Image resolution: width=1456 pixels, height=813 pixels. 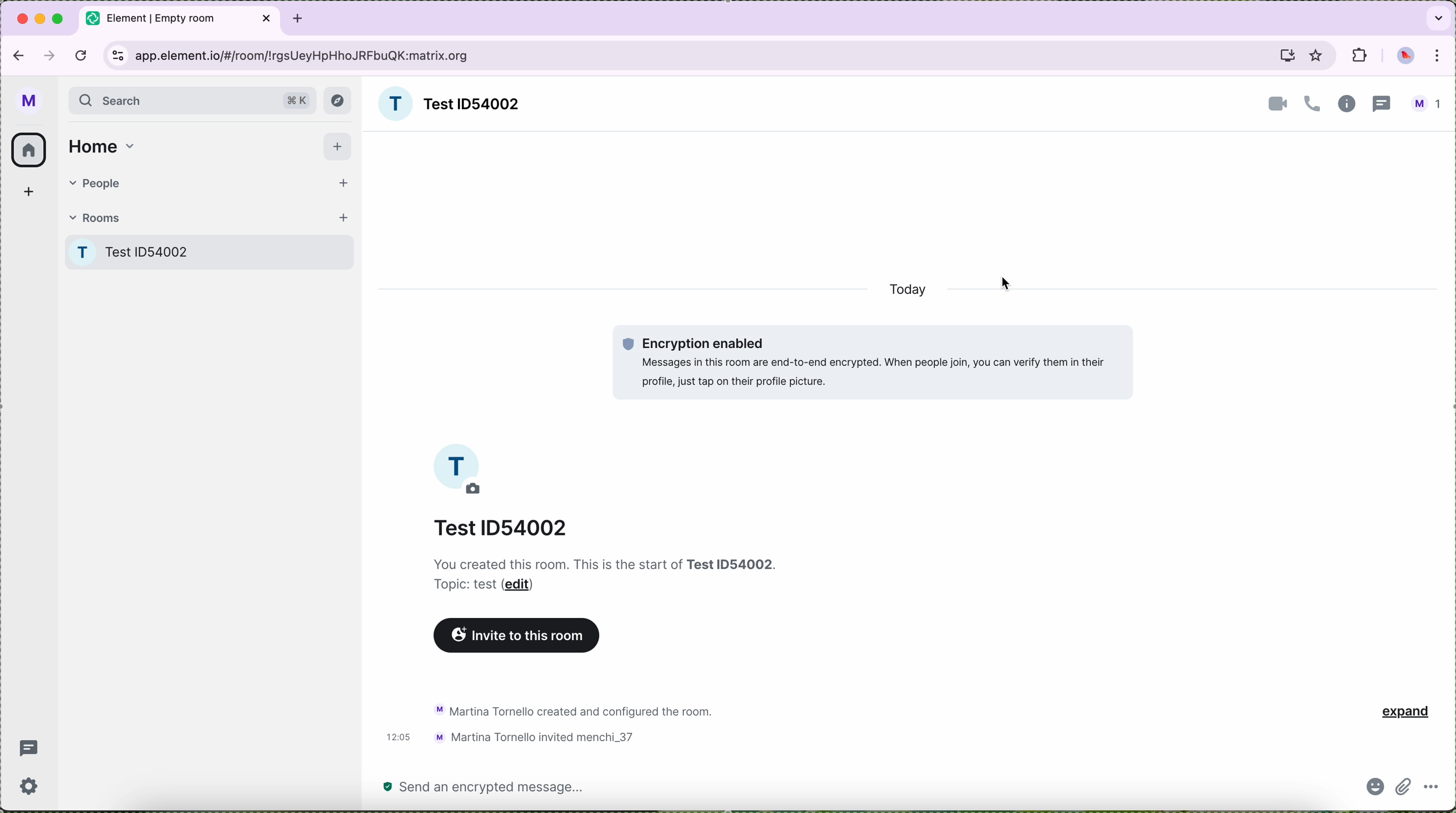 What do you see at coordinates (1312, 105) in the screenshot?
I see `call` at bounding box center [1312, 105].